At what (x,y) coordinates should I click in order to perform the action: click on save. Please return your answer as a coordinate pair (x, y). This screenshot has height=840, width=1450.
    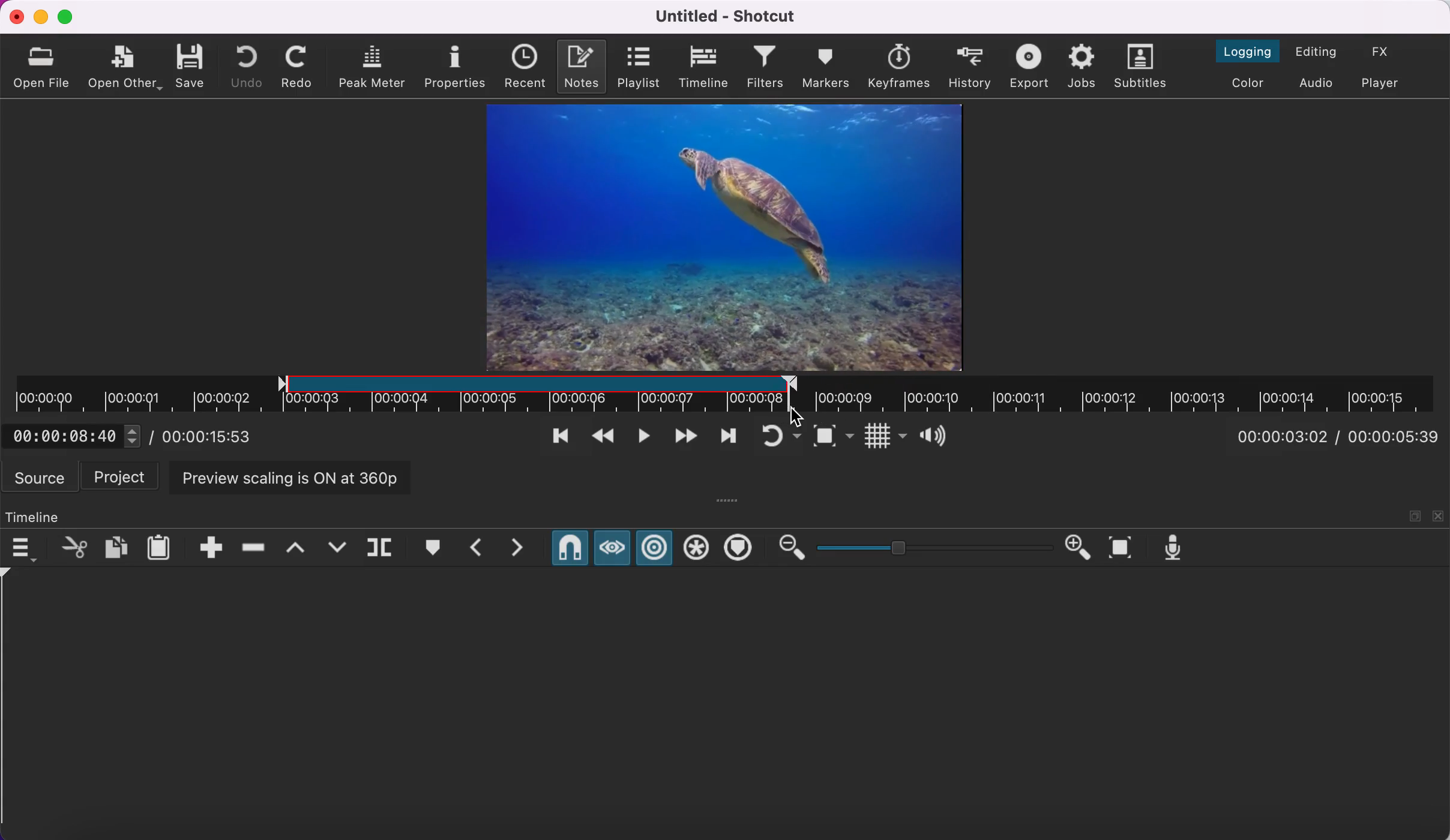
    Looking at the image, I should click on (194, 64).